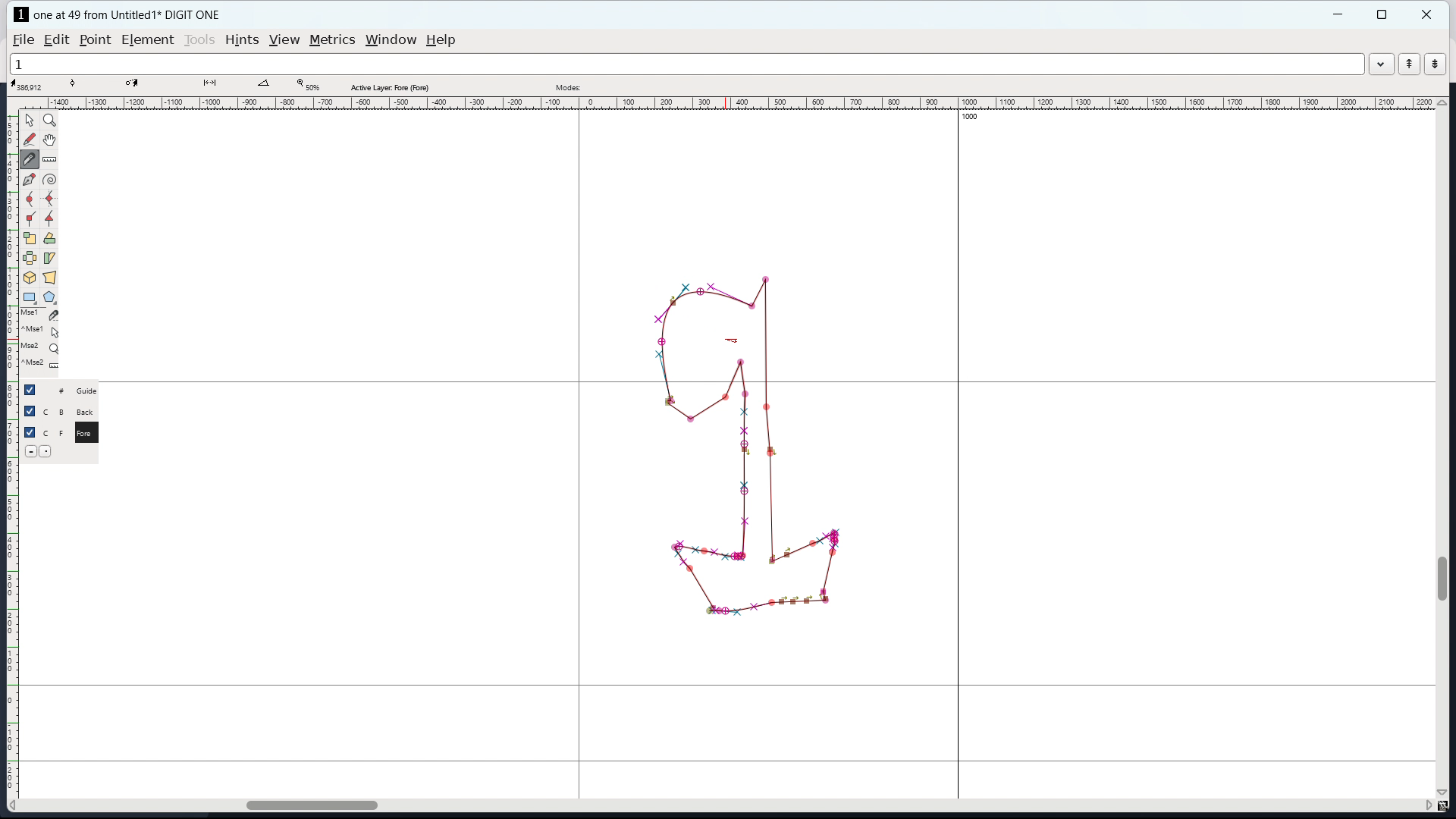 This screenshot has height=819, width=1456. What do you see at coordinates (1428, 14) in the screenshot?
I see `close` at bounding box center [1428, 14].